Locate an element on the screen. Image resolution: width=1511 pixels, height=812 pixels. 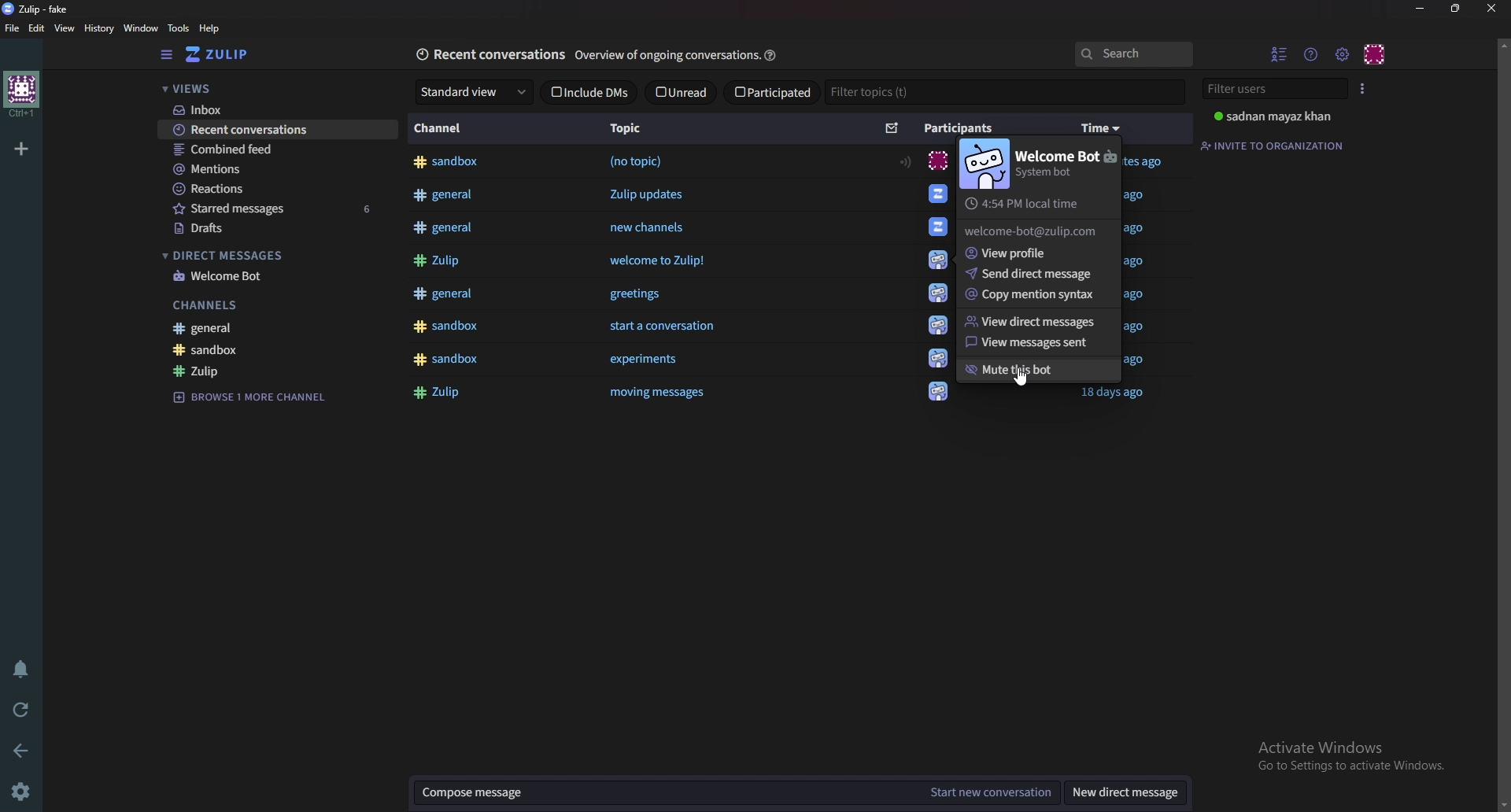
Include D M is located at coordinates (589, 94).